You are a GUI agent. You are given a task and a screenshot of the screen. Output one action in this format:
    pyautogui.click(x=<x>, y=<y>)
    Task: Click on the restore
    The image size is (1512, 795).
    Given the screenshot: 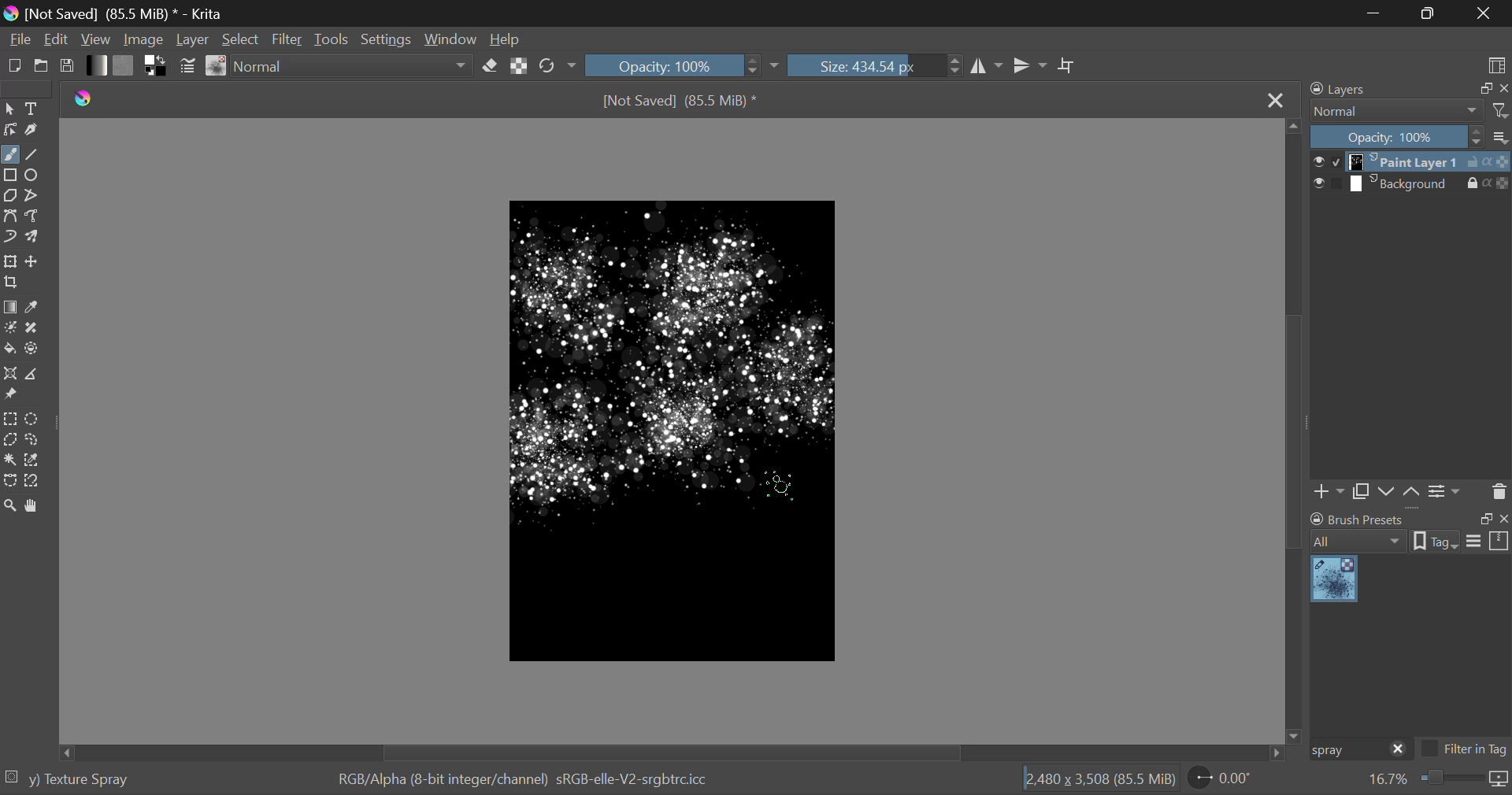 What is the action you would take?
    pyautogui.click(x=1483, y=519)
    